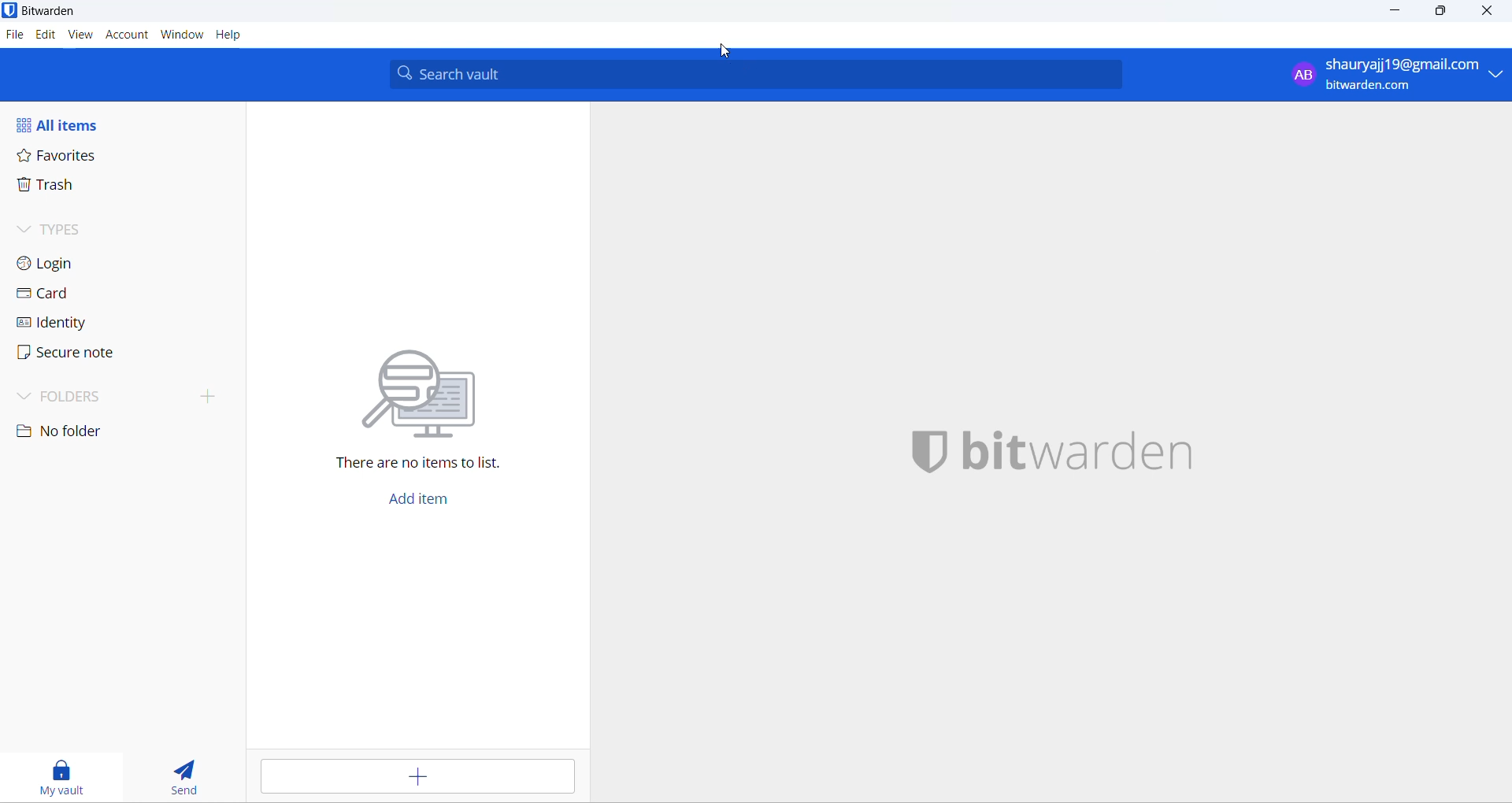 This screenshot has height=803, width=1512. What do you see at coordinates (1392, 75) in the screenshot?
I see `login email` at bounding box center [1392, 75].